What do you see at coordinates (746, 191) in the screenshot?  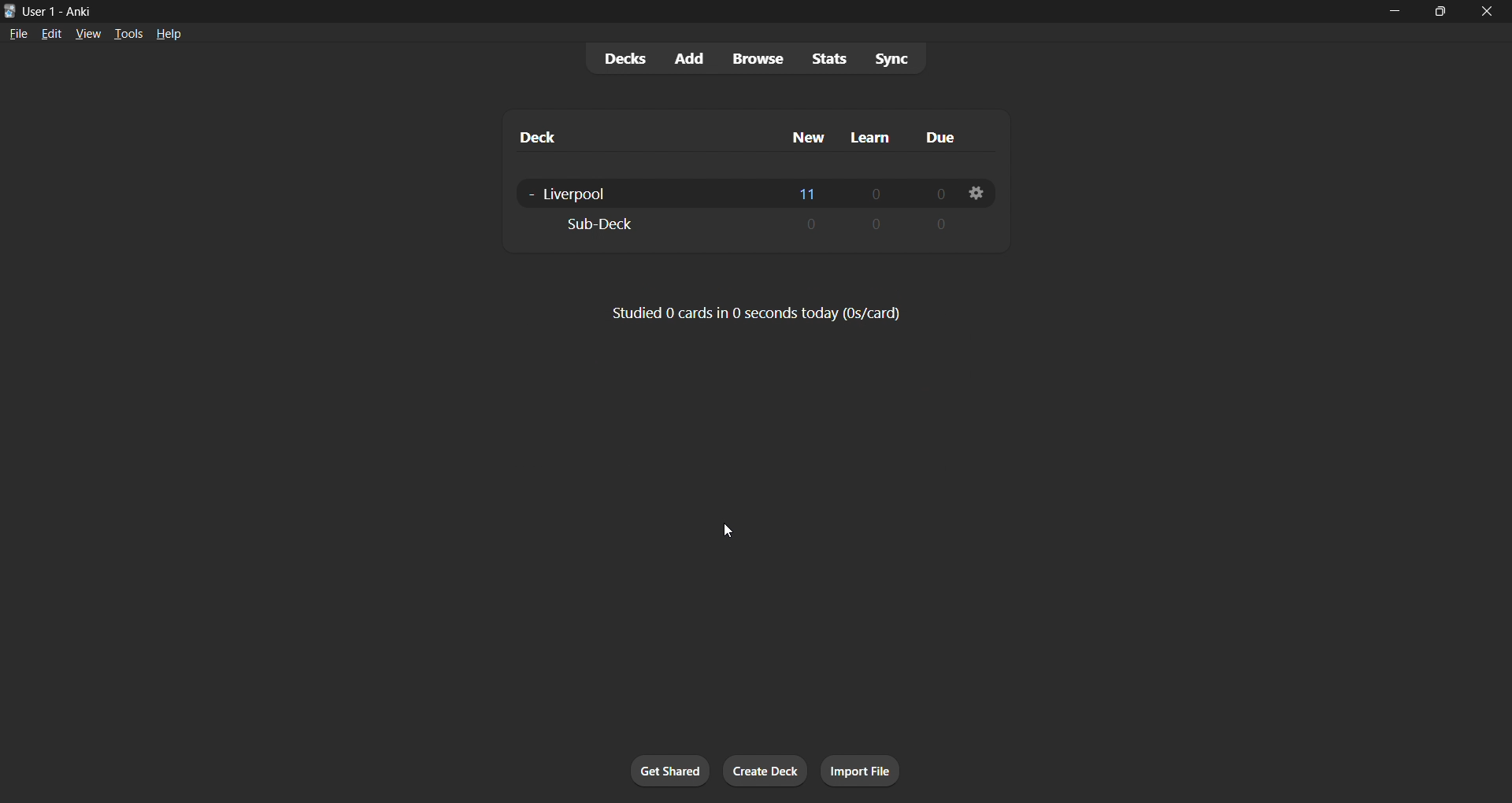 I see `liverpool deck data` at bounding box center [746, 191].